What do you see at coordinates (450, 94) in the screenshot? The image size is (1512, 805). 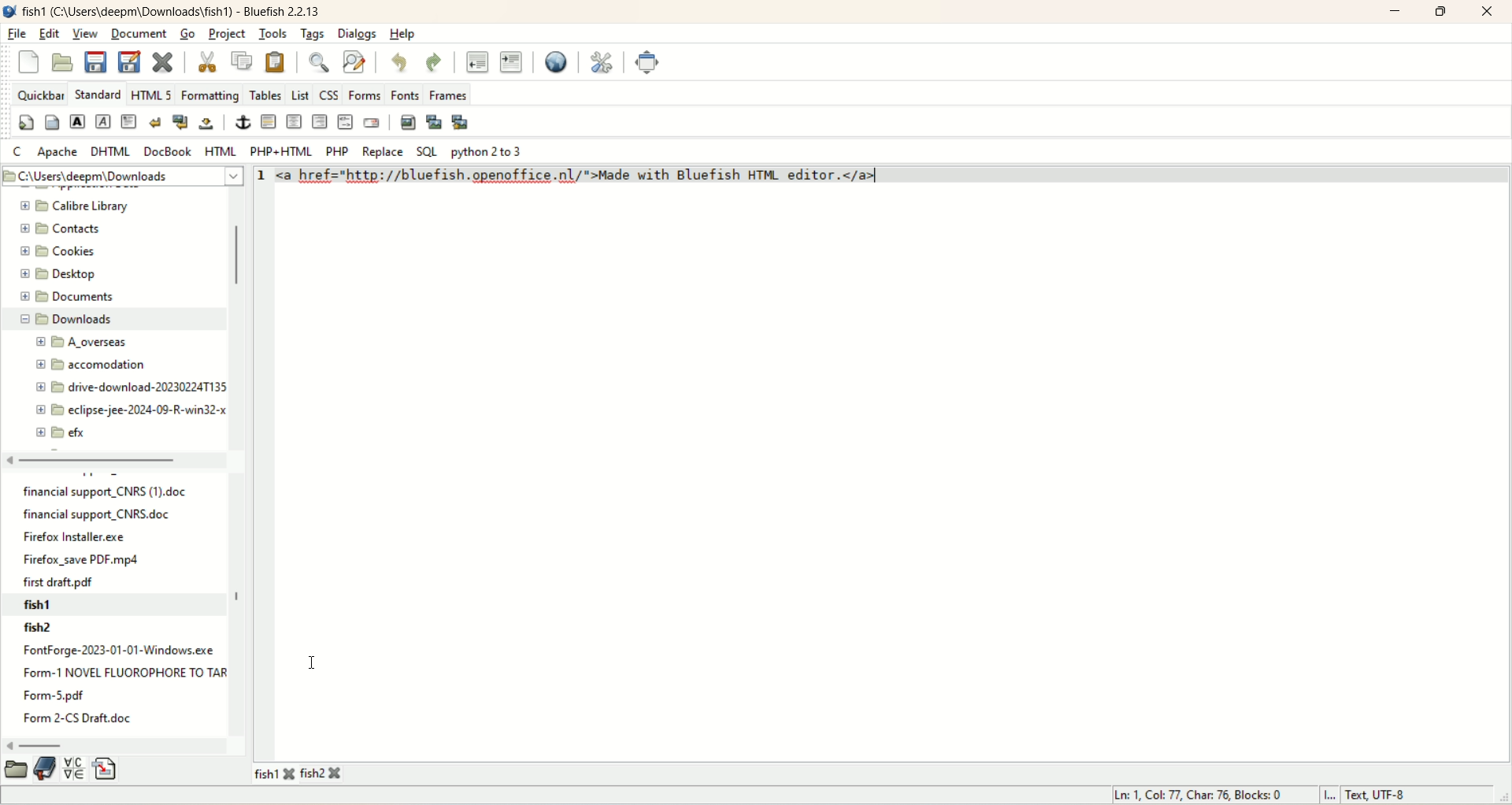 I see `frames` at bounding box center [450, 94].